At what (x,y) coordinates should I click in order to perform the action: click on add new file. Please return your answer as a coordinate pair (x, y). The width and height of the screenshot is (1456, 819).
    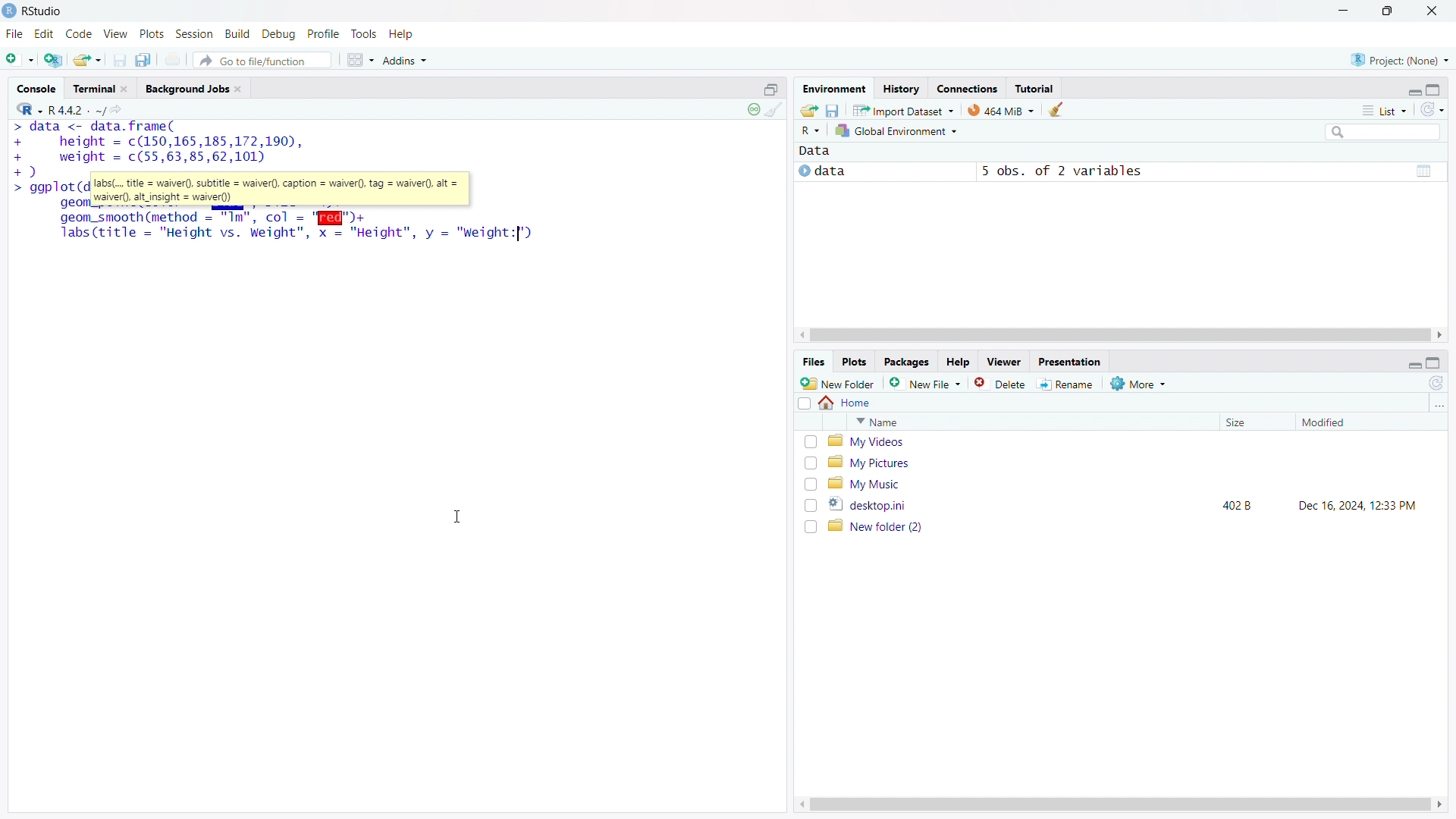
    Looking at the image, I should click on (926, 383).